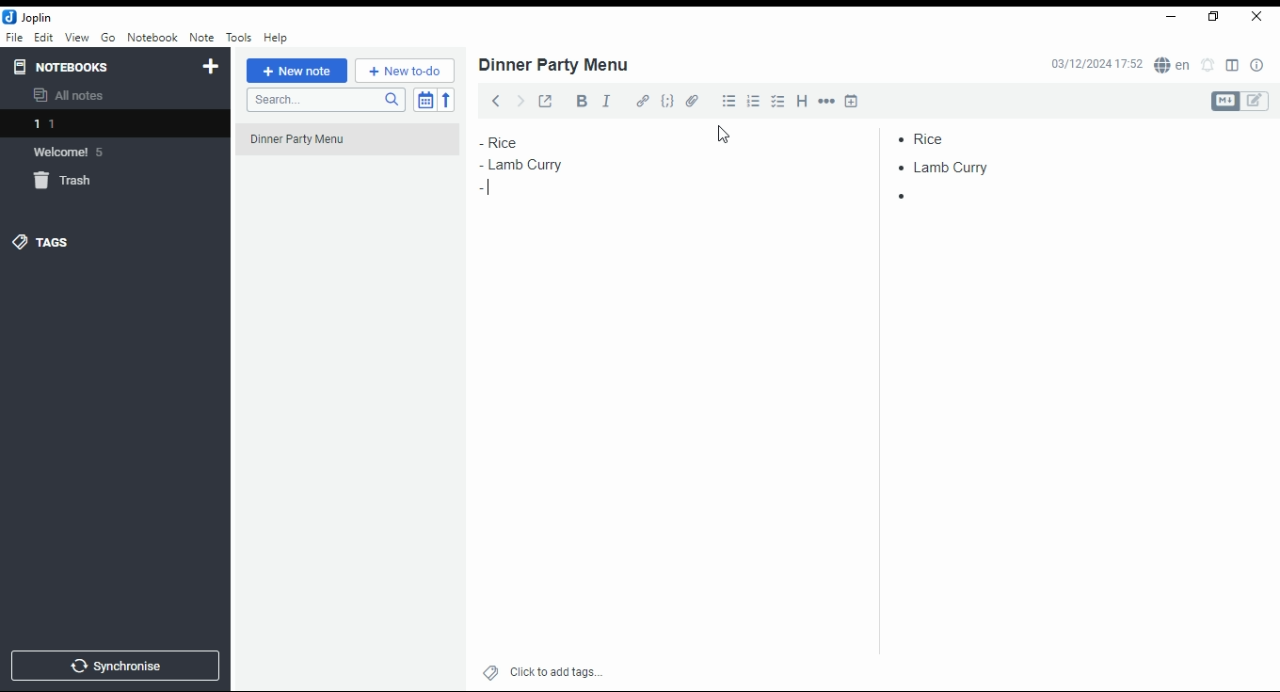 This screenshot has width=1280, height=692. Describe the element at coordinates (1208, 65) in the screenshot. I see `set alarm` at that location.